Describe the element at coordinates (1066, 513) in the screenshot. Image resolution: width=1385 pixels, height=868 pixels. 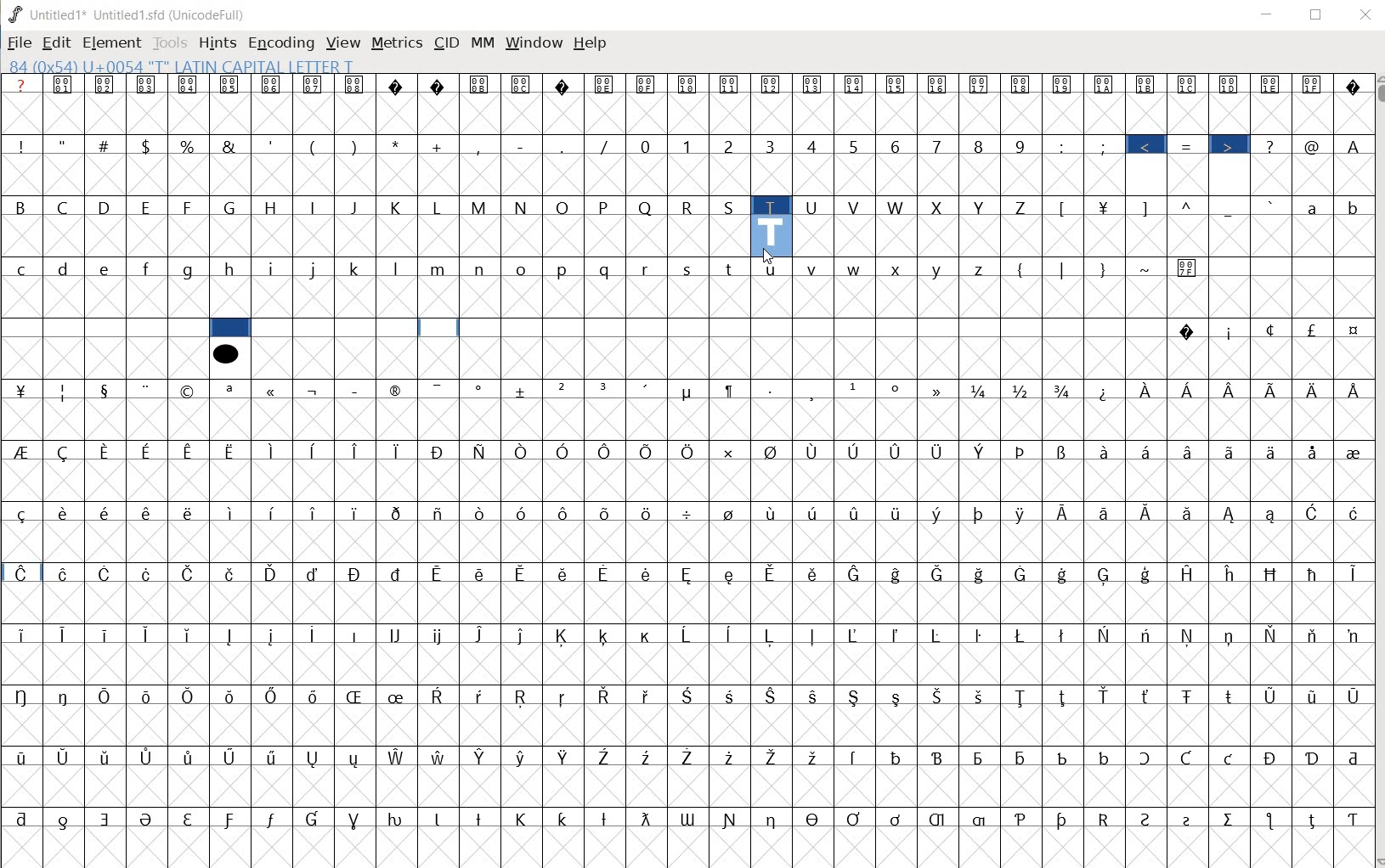
I see `Symbol` at that location.